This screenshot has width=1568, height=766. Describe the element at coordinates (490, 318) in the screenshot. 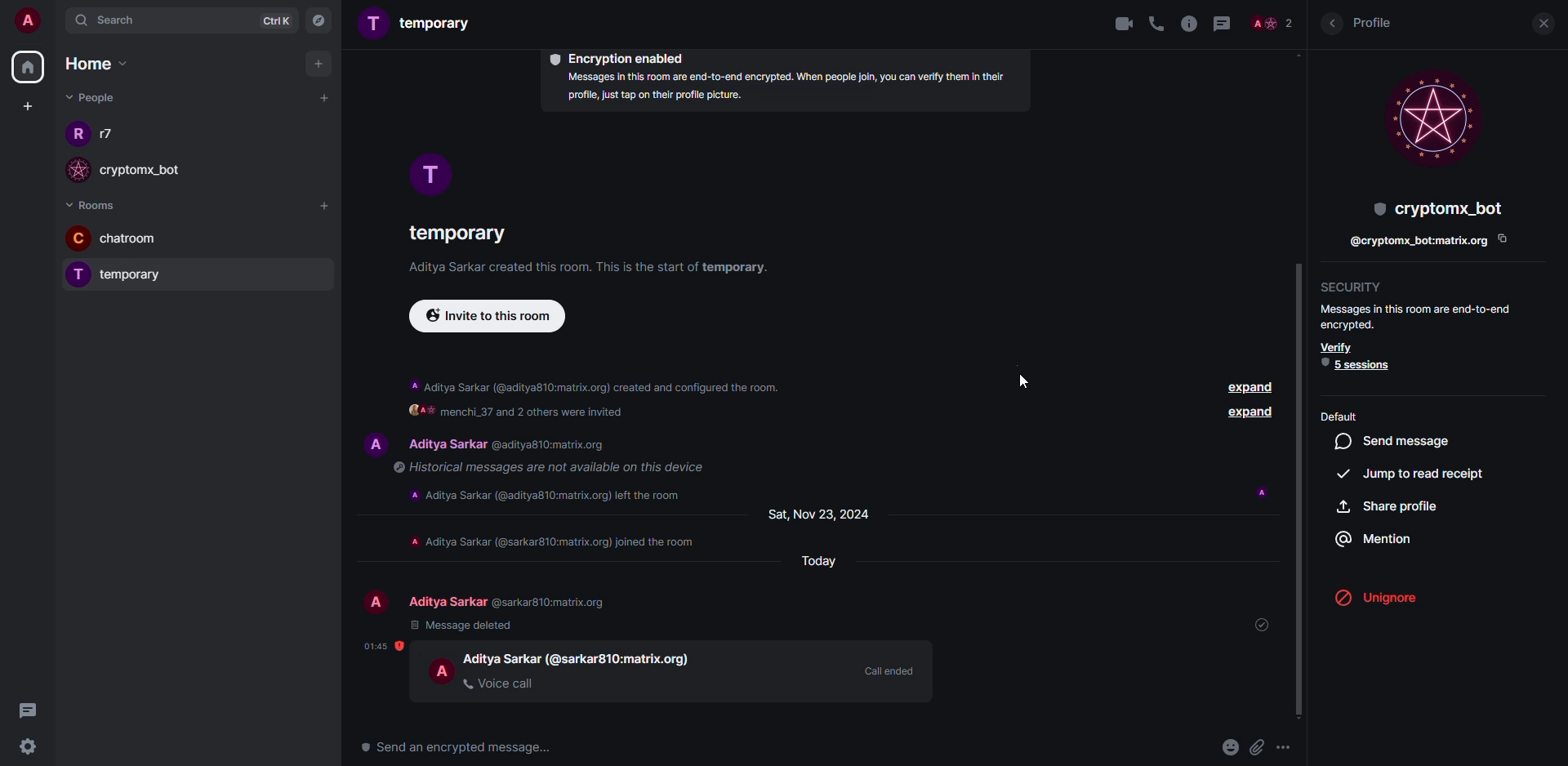

I see `invite to this room` at that location.